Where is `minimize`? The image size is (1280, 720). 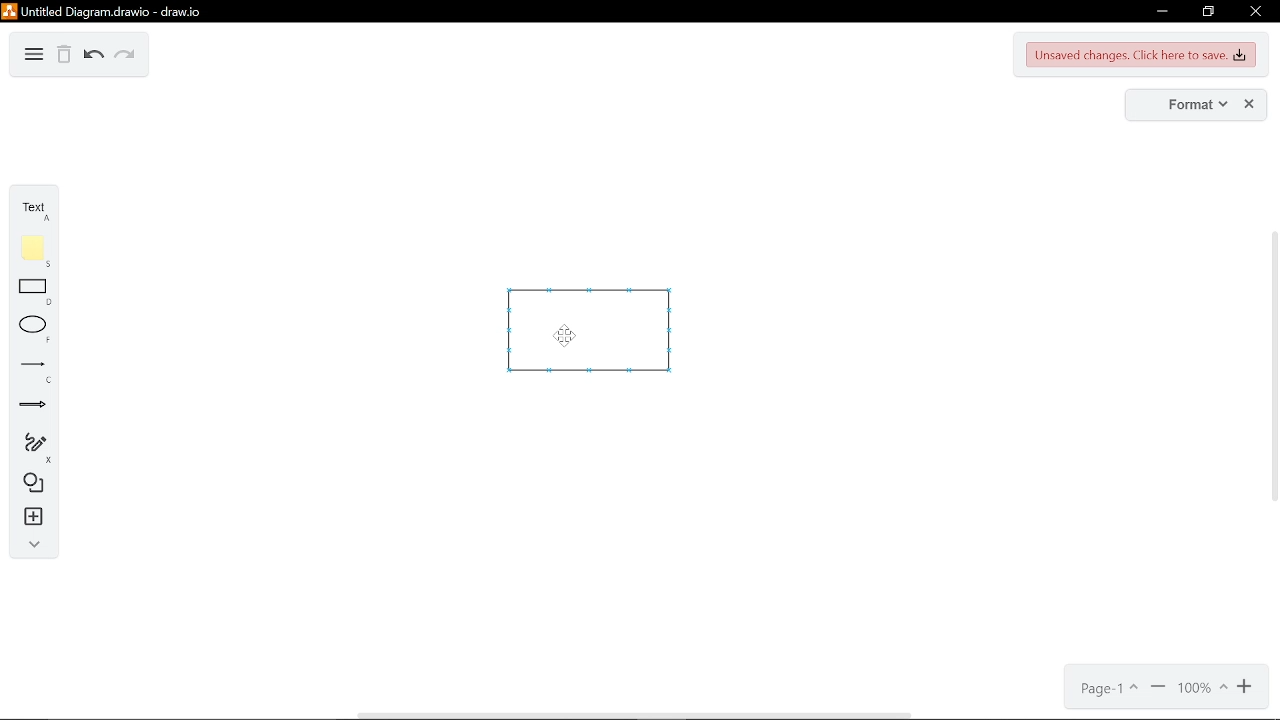 minimize is located at coordinates (1160, 13).